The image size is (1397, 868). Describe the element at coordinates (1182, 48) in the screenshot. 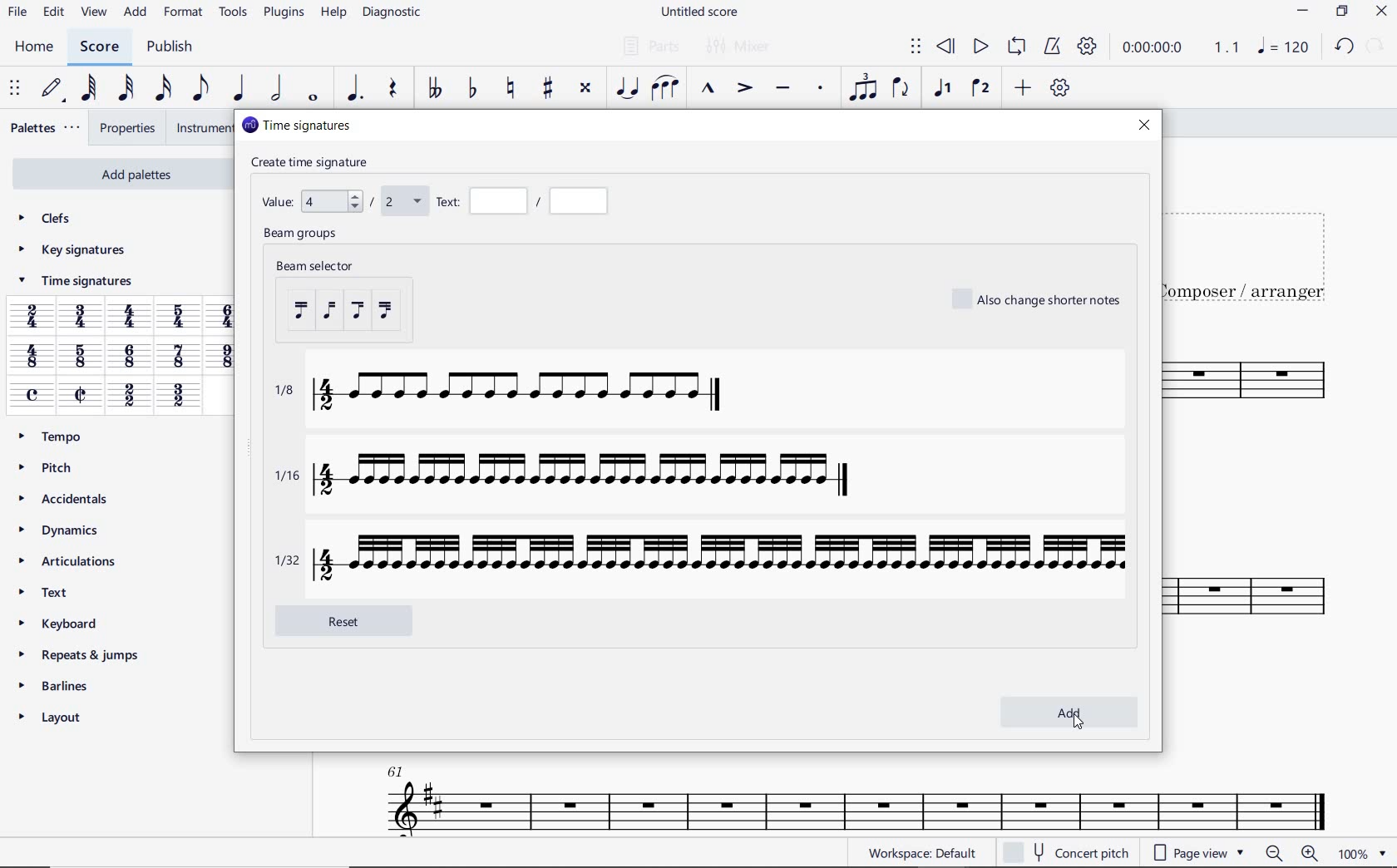

I see `PLAY SPEED` at that location.